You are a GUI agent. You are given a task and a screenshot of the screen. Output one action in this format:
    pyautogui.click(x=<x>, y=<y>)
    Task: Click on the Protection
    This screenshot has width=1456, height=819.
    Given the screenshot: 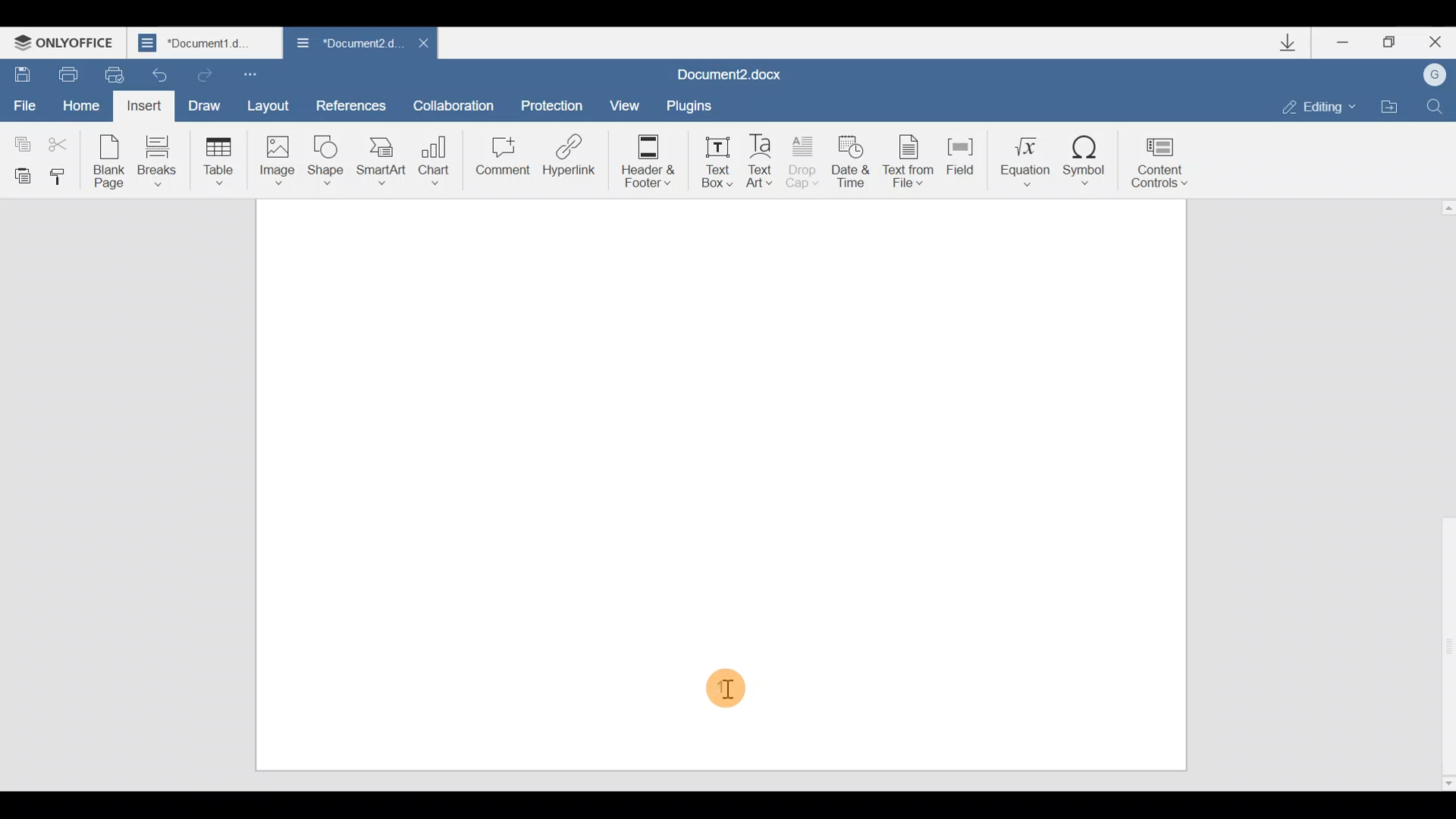 What is the action you would take?
    pyautogui.click(x=552, y=99)
    